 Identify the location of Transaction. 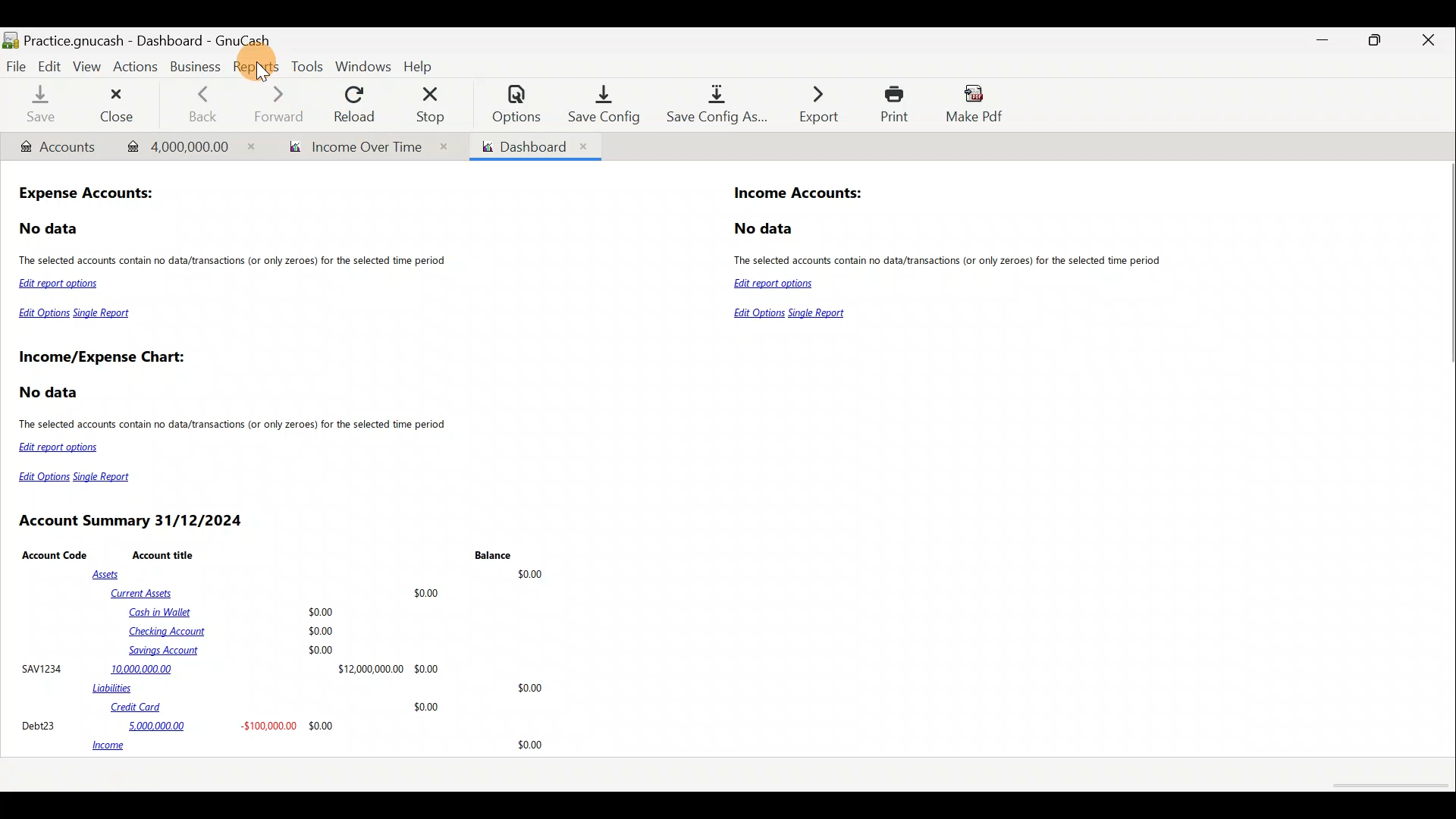
(184, 145).